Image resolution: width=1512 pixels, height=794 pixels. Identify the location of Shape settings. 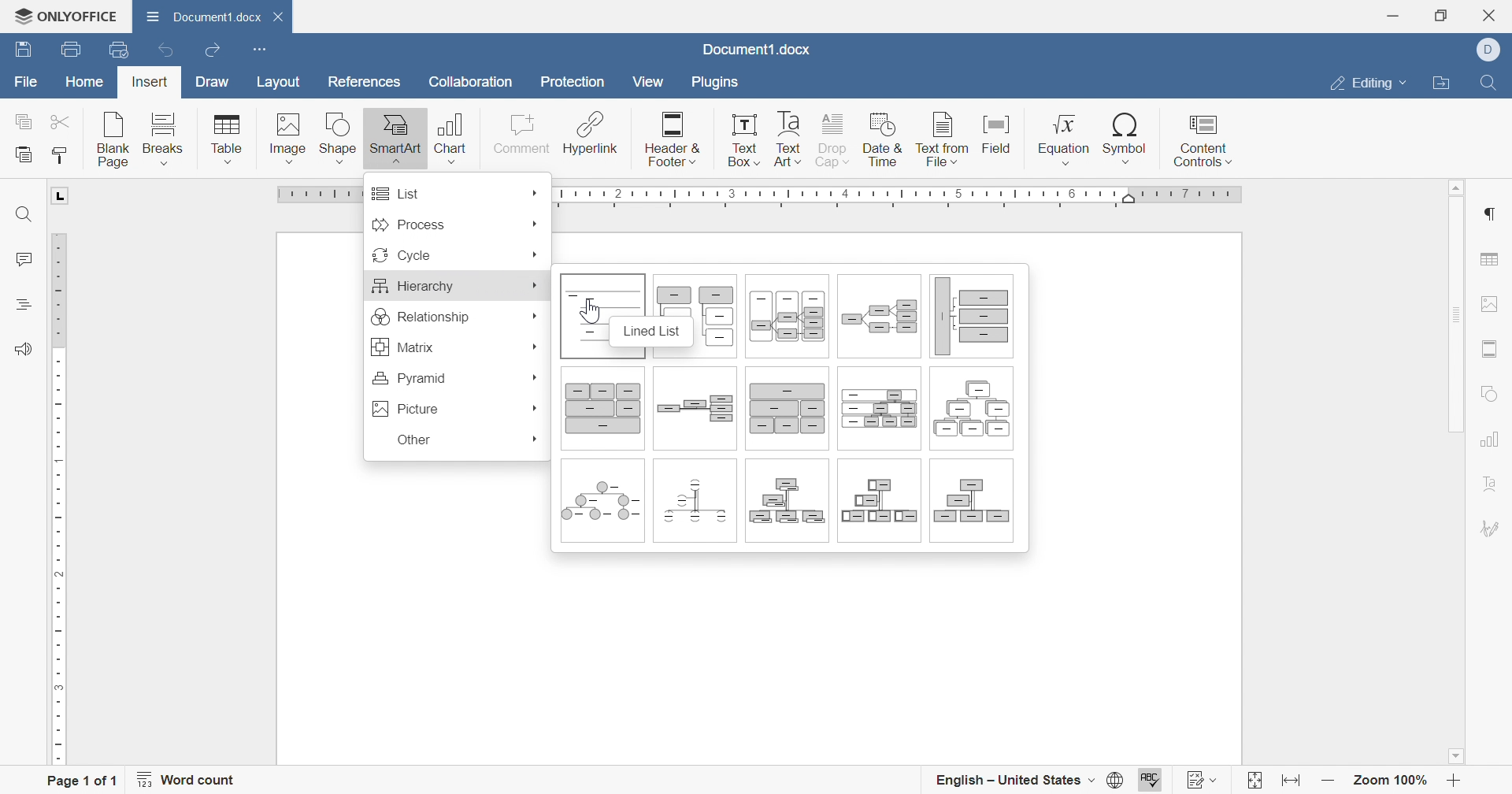
(1490, 395).